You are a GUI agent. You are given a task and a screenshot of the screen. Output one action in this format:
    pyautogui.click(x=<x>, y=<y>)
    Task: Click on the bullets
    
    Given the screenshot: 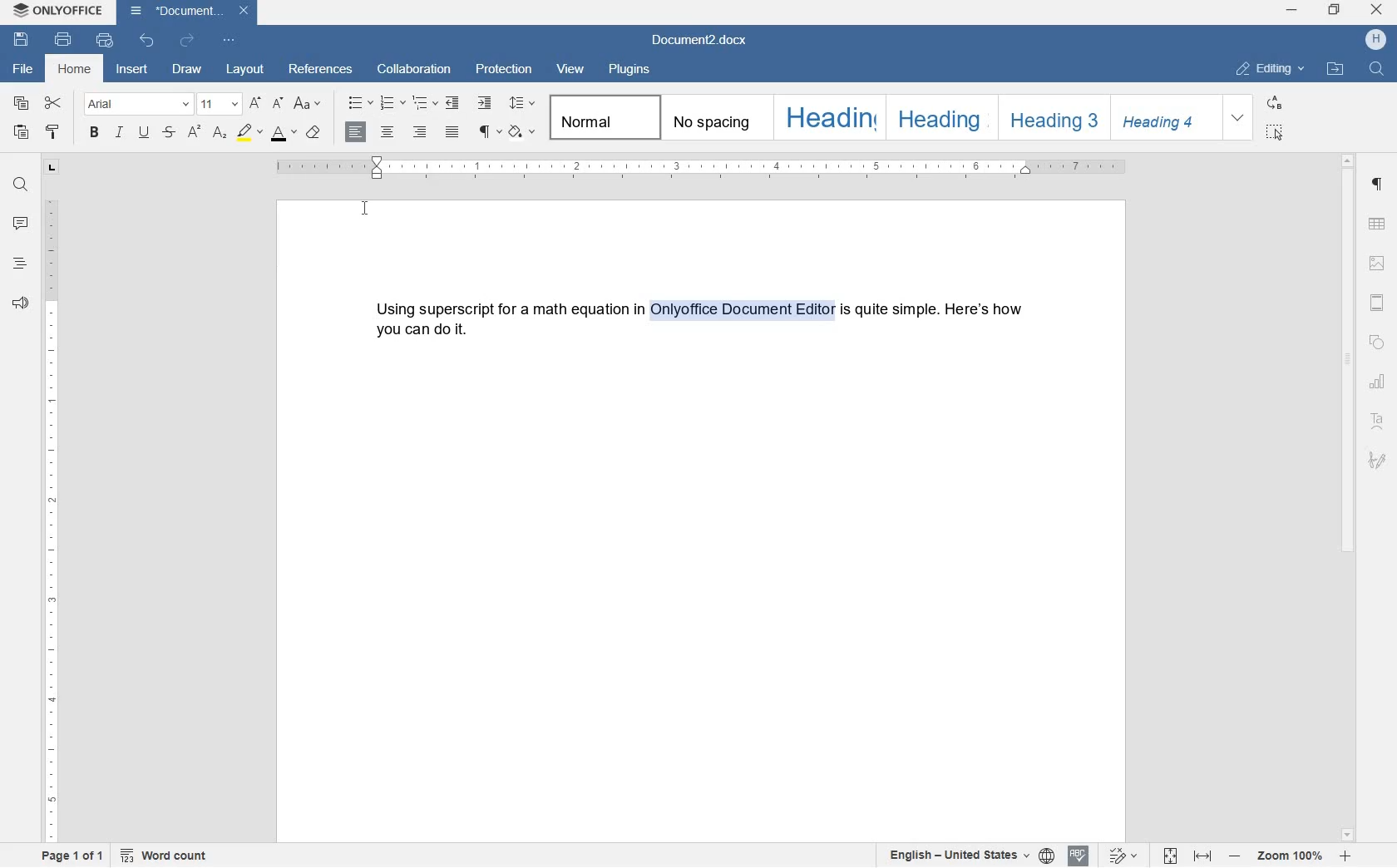 What is the action you would take?
    pyautogui.click(x=360, y=102)
    